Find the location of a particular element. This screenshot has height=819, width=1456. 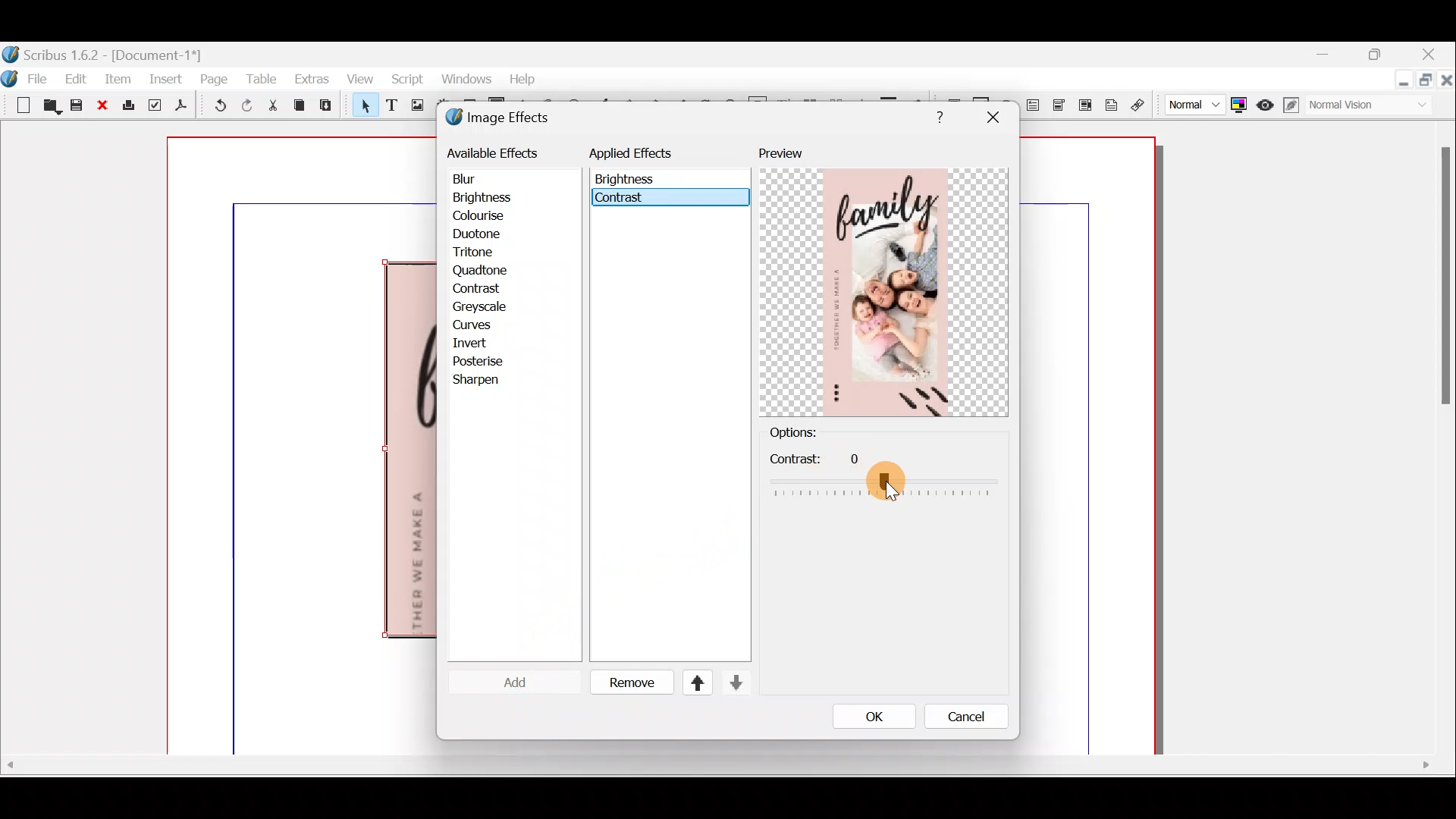

 is located at coordinates (872, 474).